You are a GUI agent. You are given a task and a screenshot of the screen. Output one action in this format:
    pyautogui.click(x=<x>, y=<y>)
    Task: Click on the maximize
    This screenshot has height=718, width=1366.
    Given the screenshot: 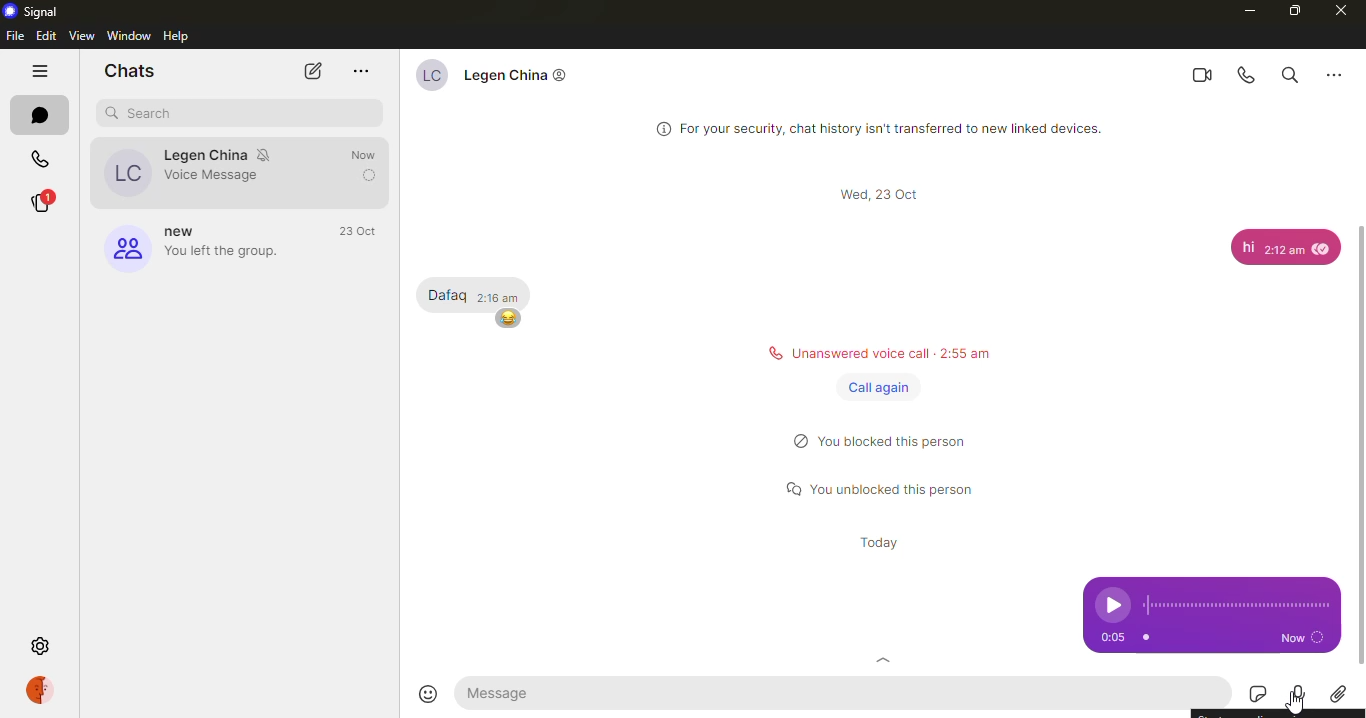 What is the action you would take?
    pyautogui.click(x=1292, y=13)
    